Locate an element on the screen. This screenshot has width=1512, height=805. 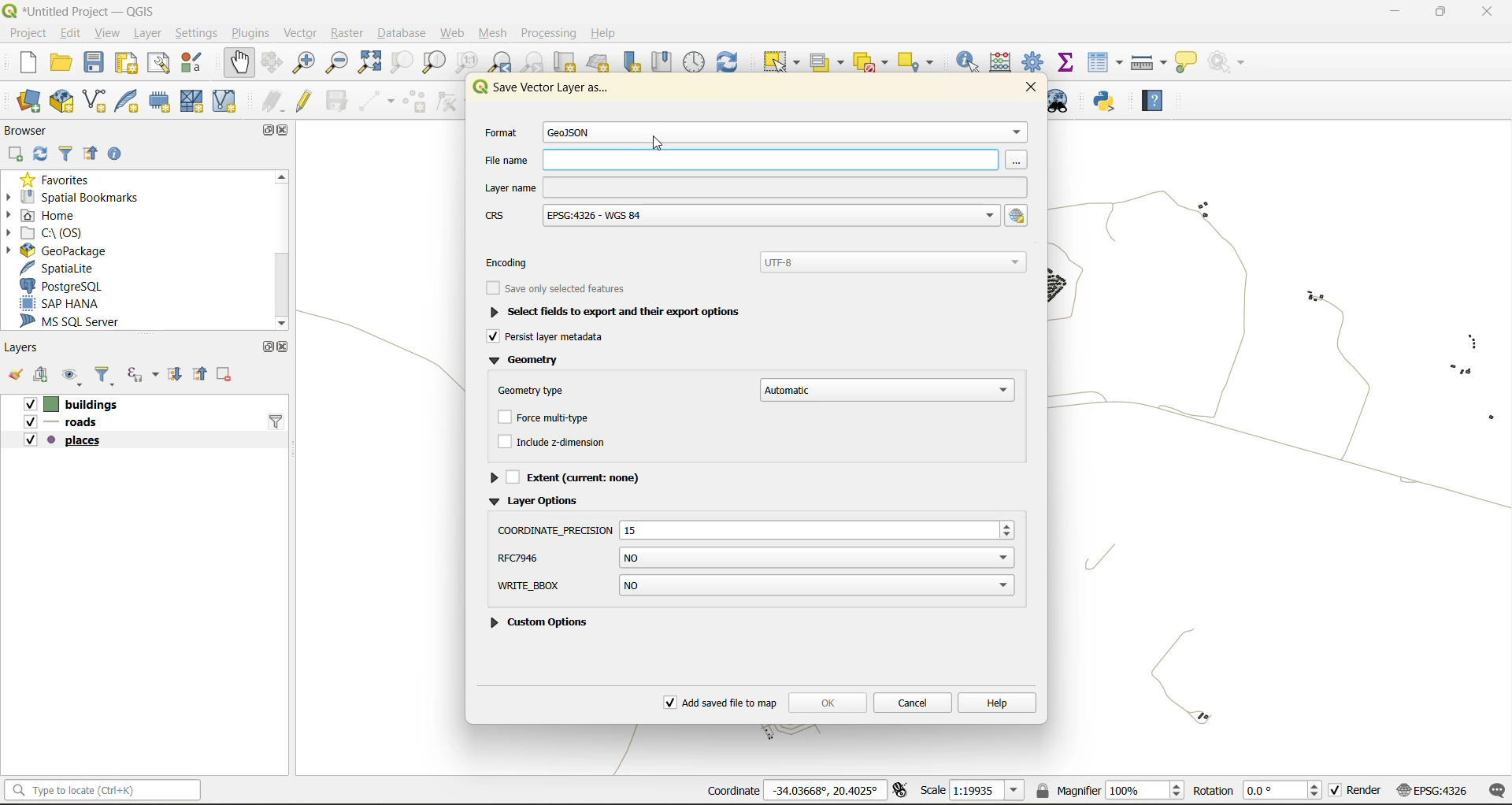
new mesh is located at coordinates (191, 101).